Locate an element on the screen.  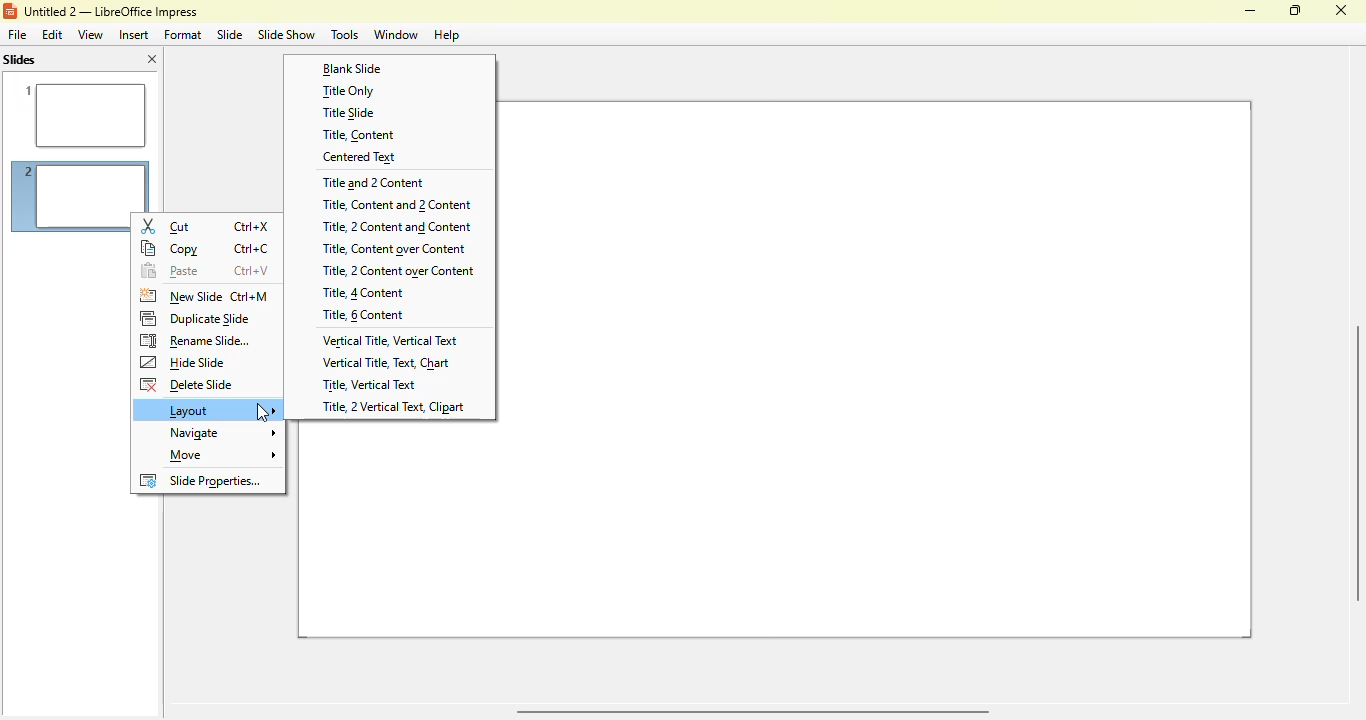
horizontal scroll bar is located at coordinates (750, 712).